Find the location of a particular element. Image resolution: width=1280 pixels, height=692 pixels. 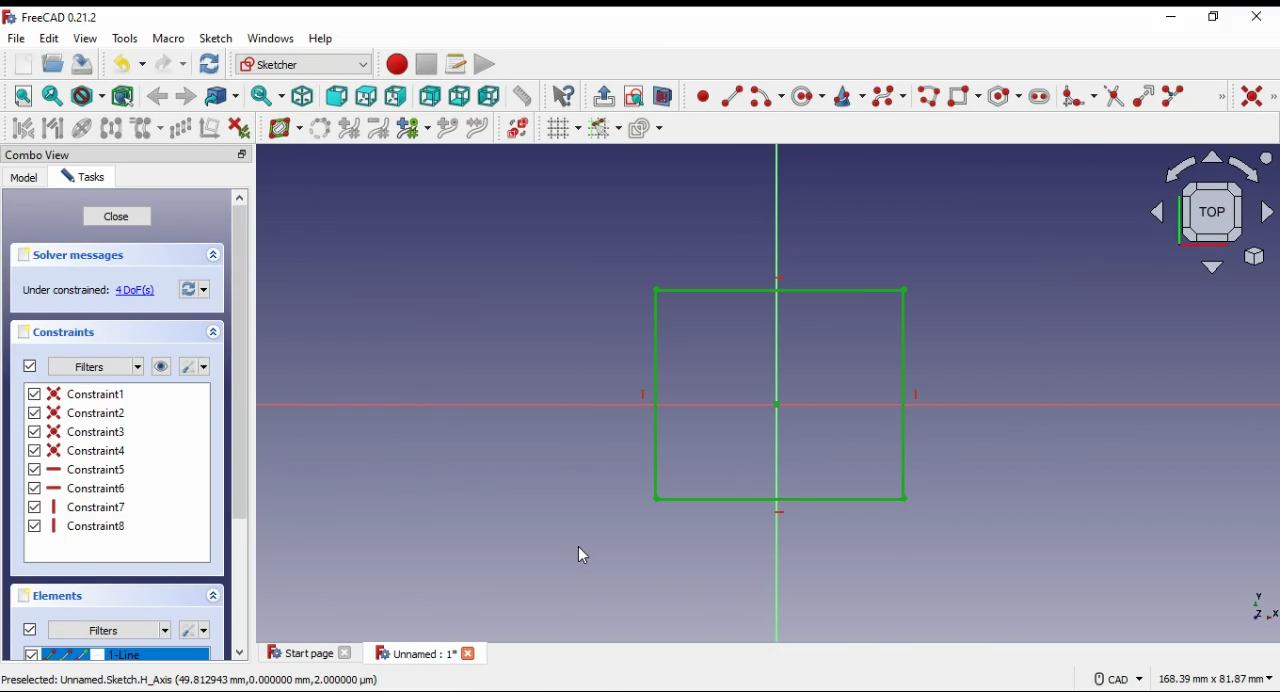

on/off constraint 1 is located at coordinates (90, 393).